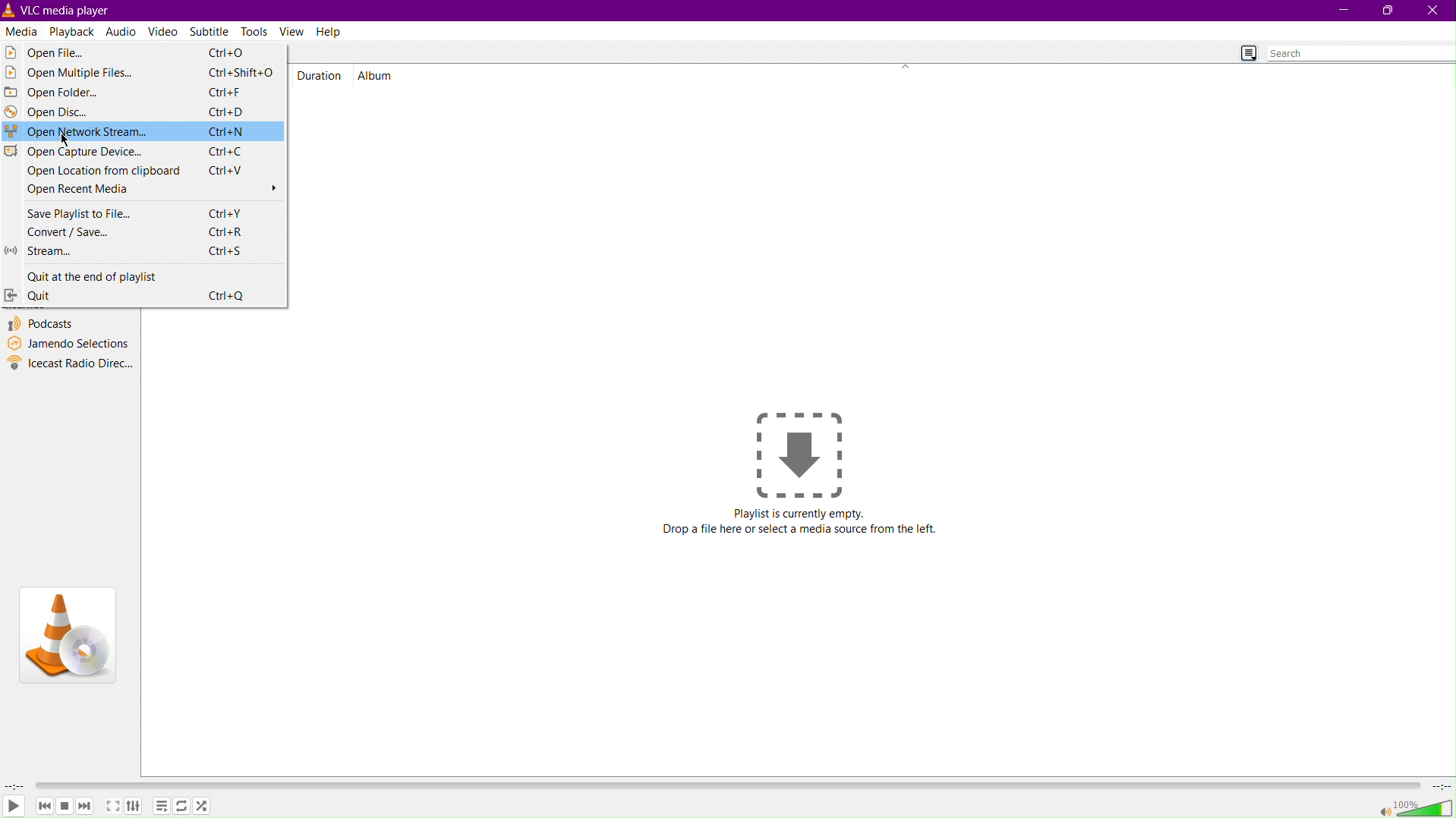 The height and width of the screenshot is (818, 1456). I want to click on Ctrl+V, so click(228, 170).